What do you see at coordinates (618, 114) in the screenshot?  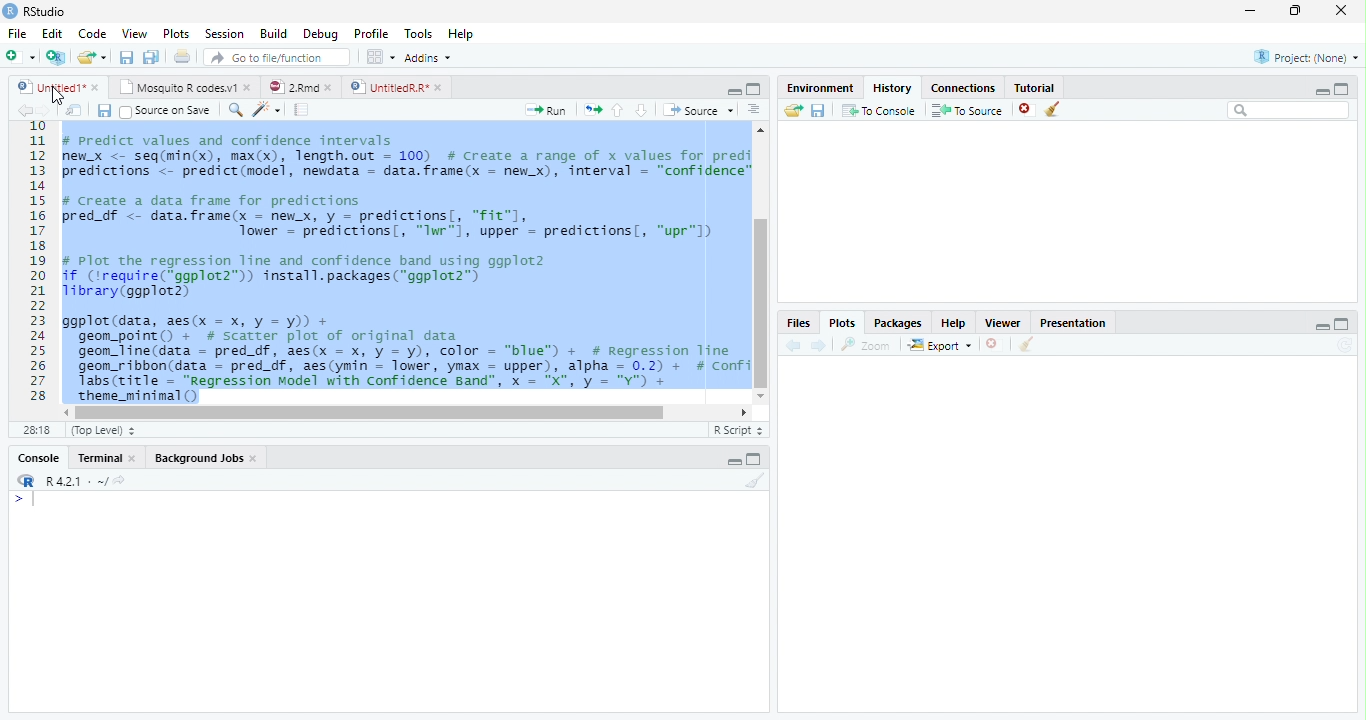 I see `Go to the previous section/chunk` at bounding box center [618, 114].